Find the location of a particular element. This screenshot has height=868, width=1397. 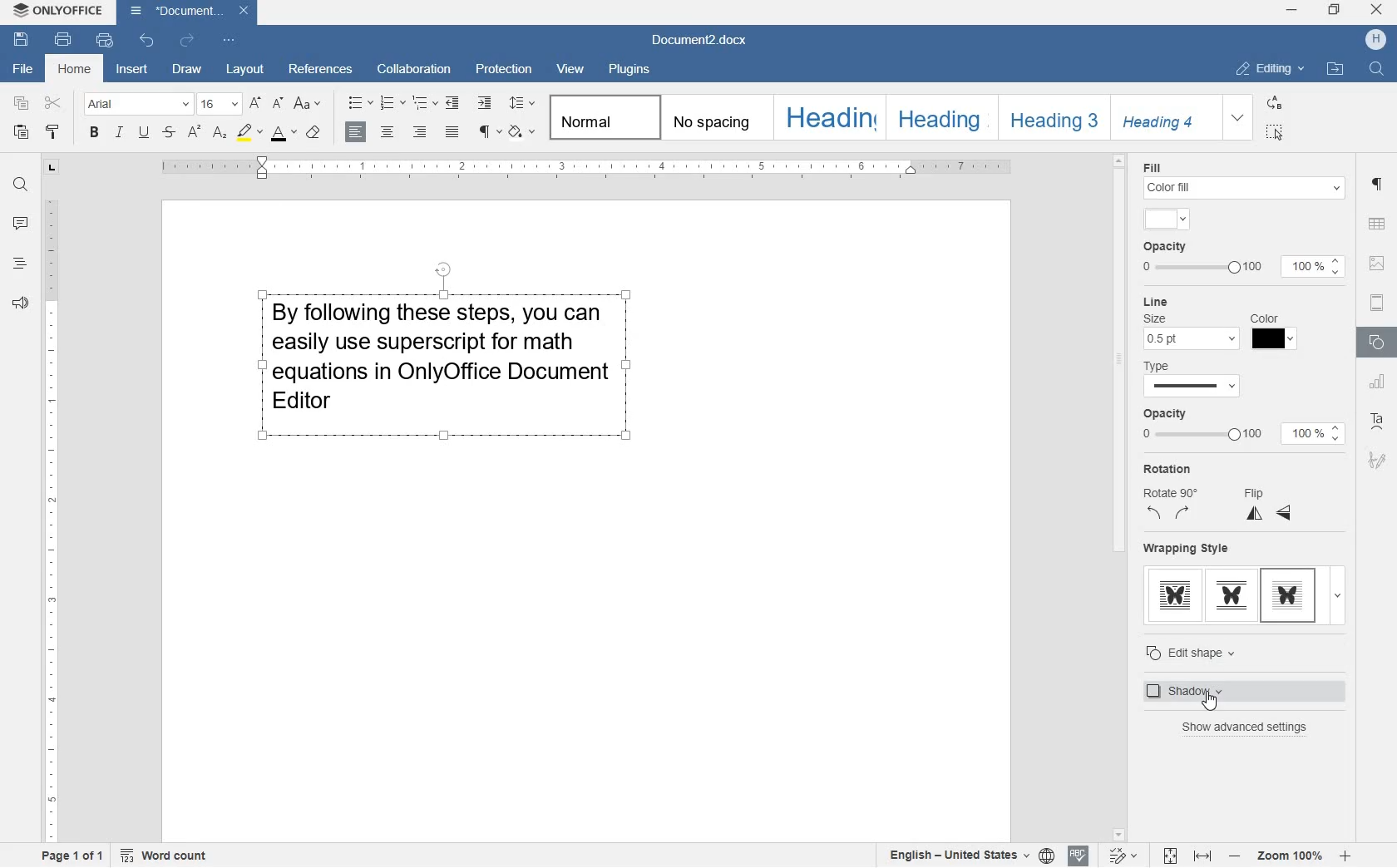

bold is located at coordinates (94, 133).